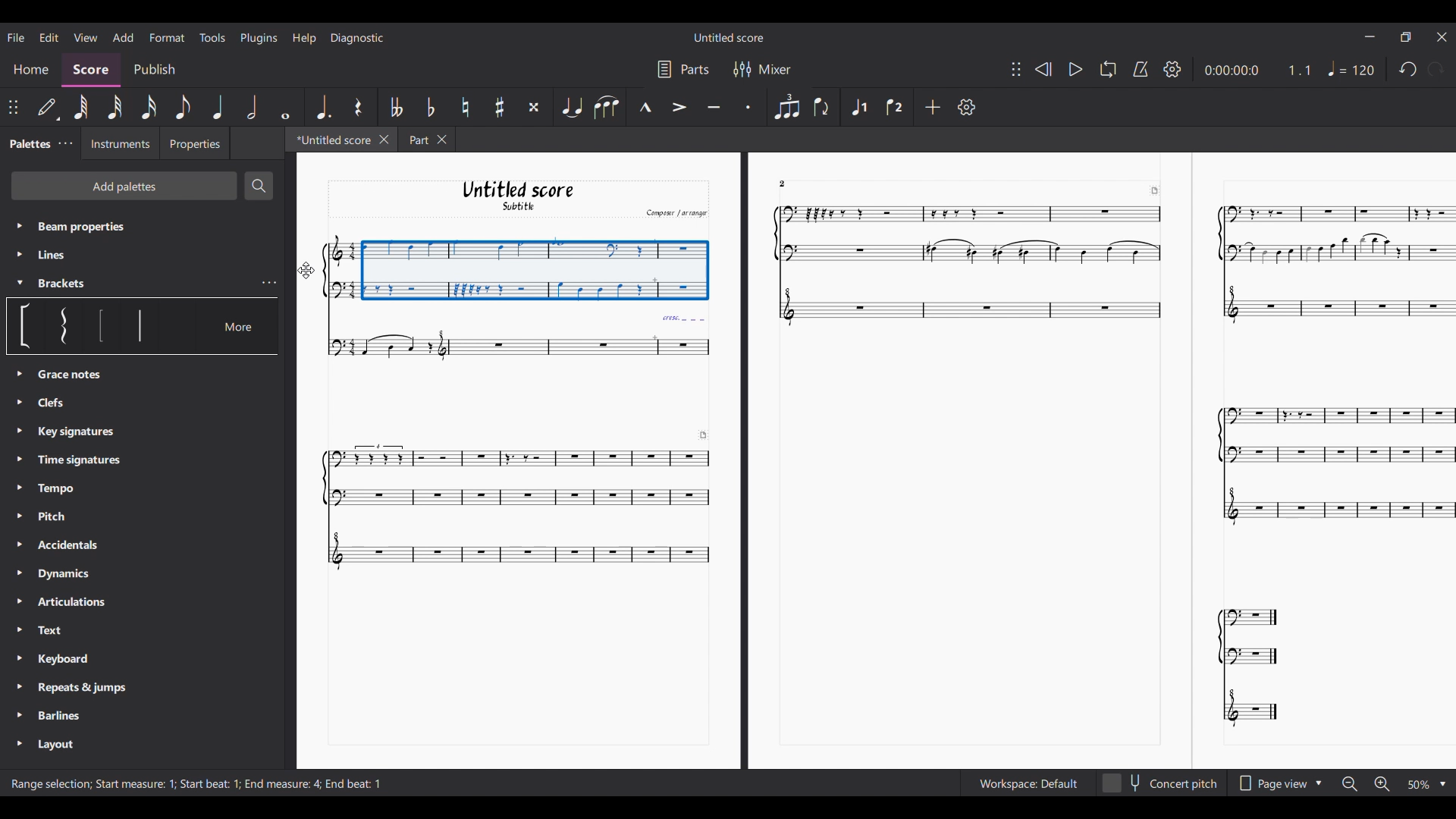  What do you see at coordinates (969, 261) in the screenshot?
I see `` at bounding box center [969, 261].